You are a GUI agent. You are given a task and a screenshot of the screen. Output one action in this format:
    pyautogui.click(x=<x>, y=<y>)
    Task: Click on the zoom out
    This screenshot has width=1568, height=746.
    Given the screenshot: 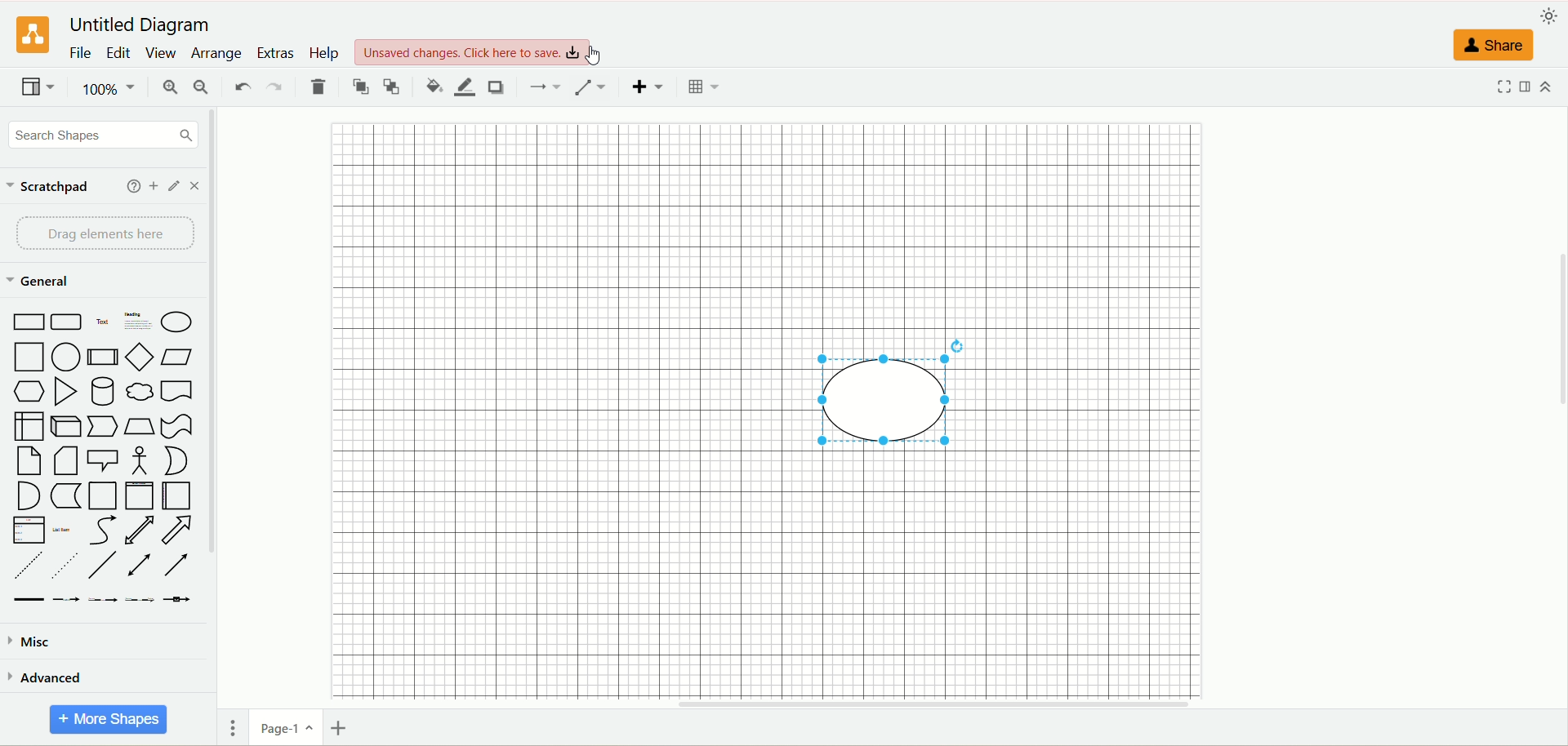 What is the action you would take?
    pyautogui.click(x=200, y=87)
    